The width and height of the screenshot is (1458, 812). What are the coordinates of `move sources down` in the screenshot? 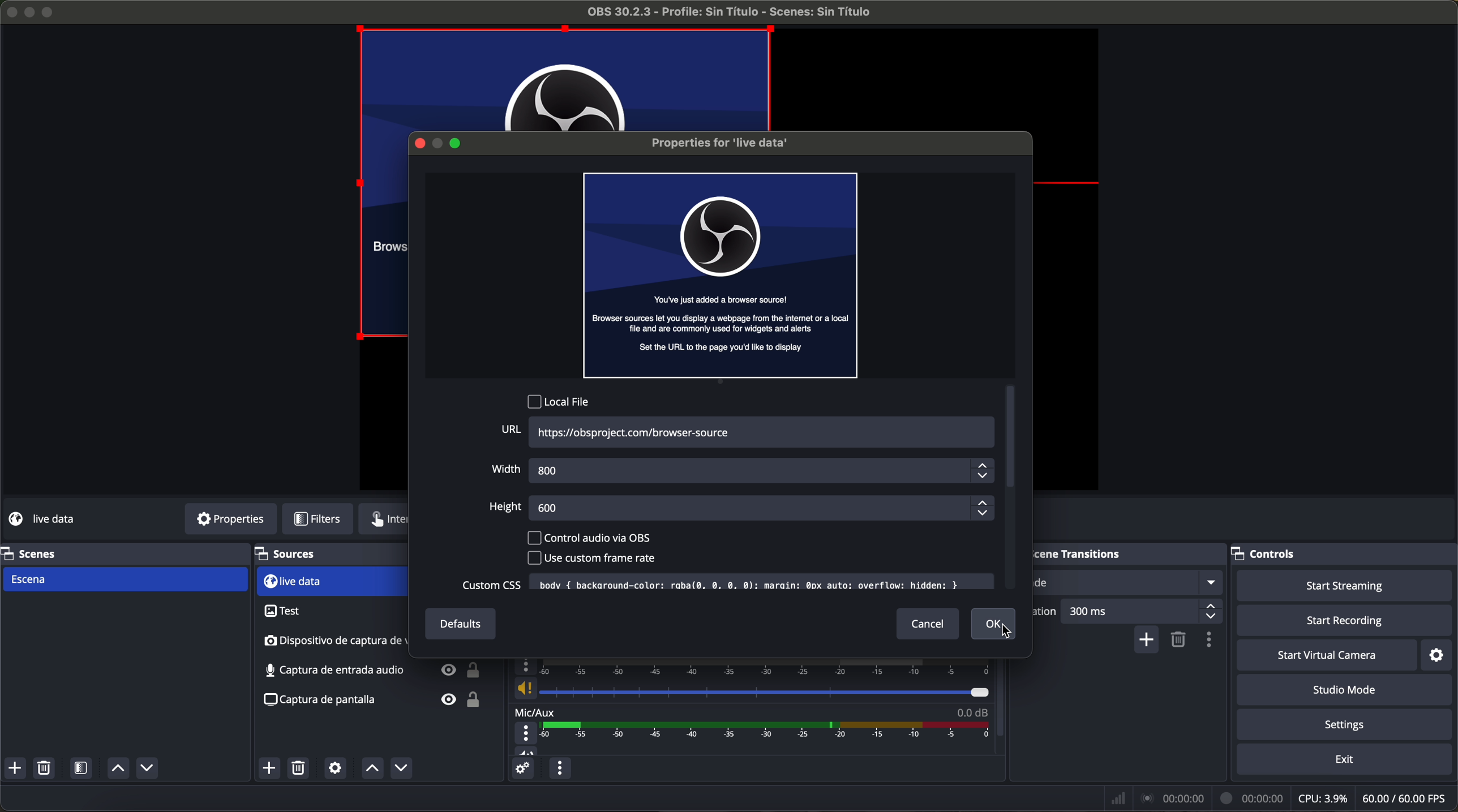 It's located at (402, 770).